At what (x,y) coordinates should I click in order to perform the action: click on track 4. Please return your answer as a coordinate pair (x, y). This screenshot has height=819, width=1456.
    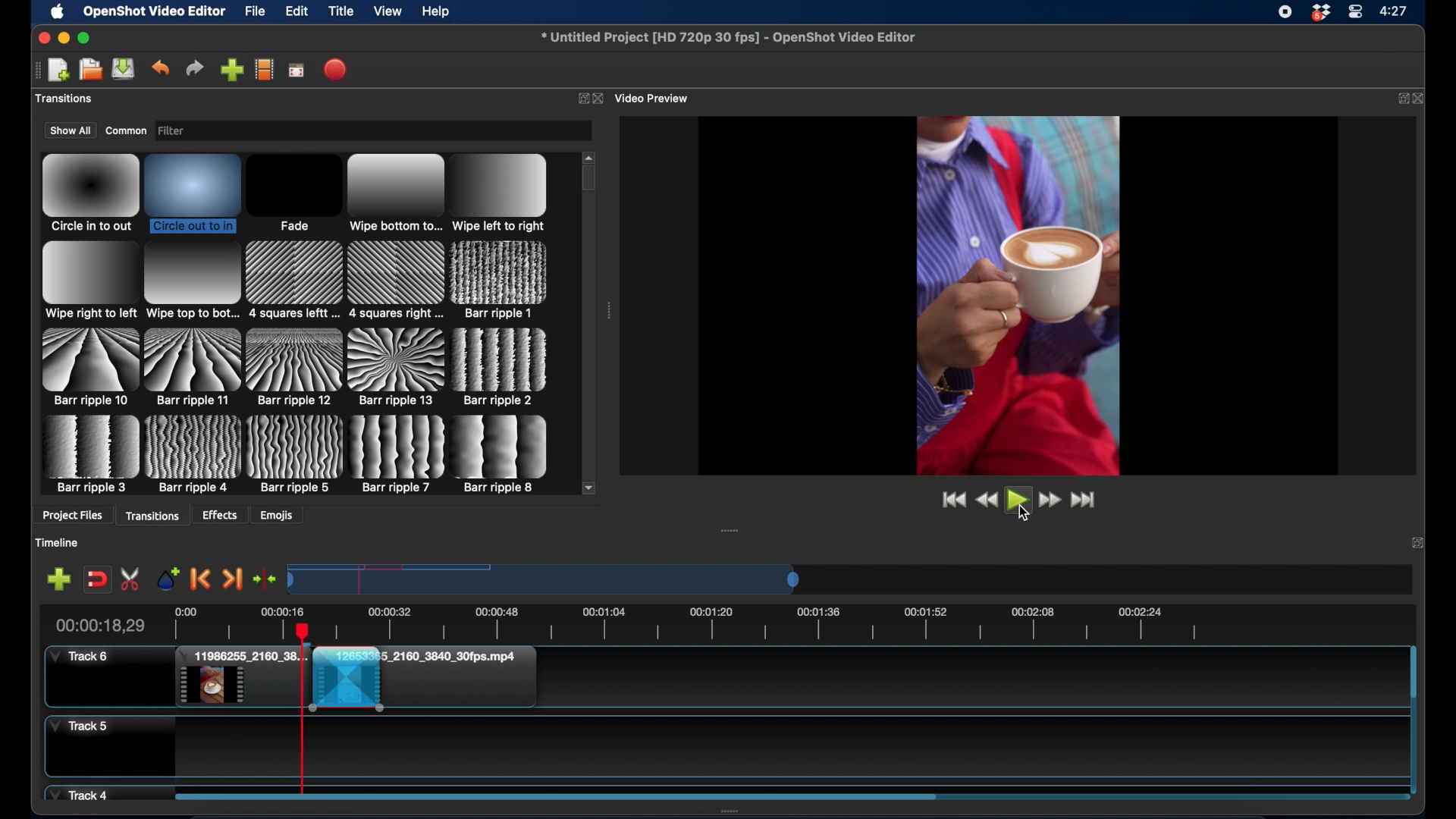
    Looking at the image, I should click on (81, 793).